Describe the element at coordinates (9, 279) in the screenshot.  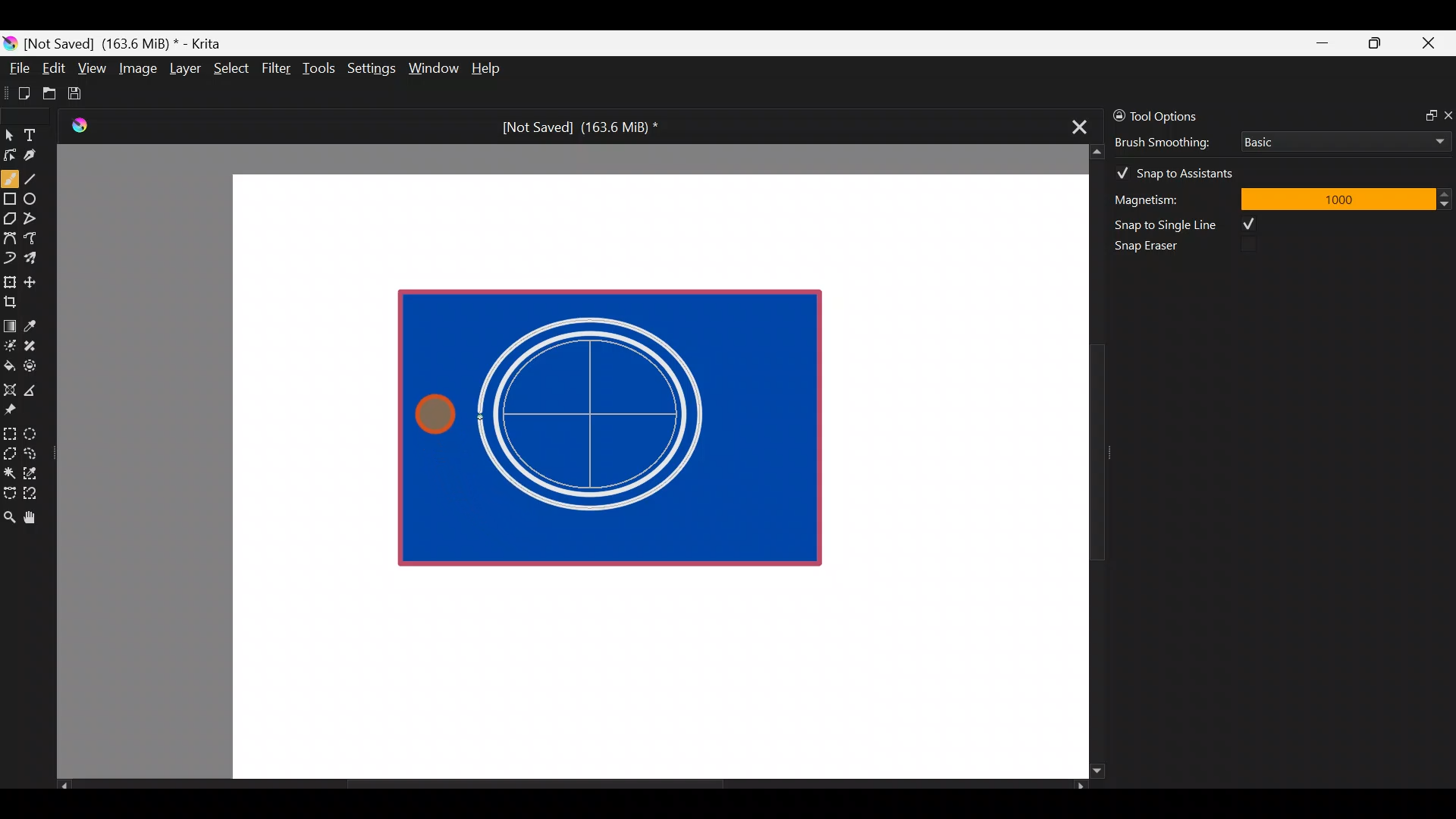
I see `Transform a layer/selection` at that location.